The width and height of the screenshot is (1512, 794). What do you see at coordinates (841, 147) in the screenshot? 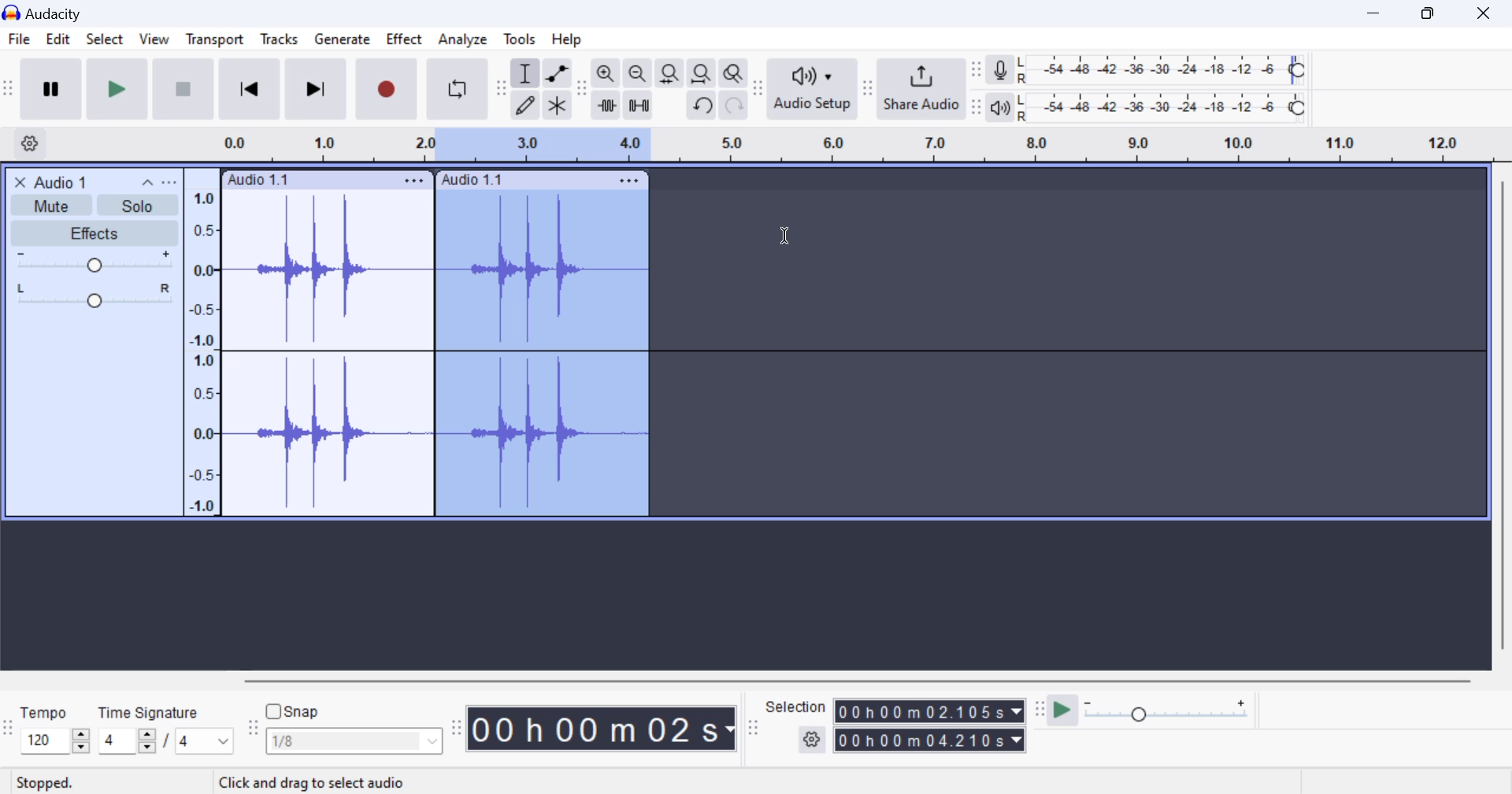
I see `Clip Timeline` at bounding box center [841, 147].